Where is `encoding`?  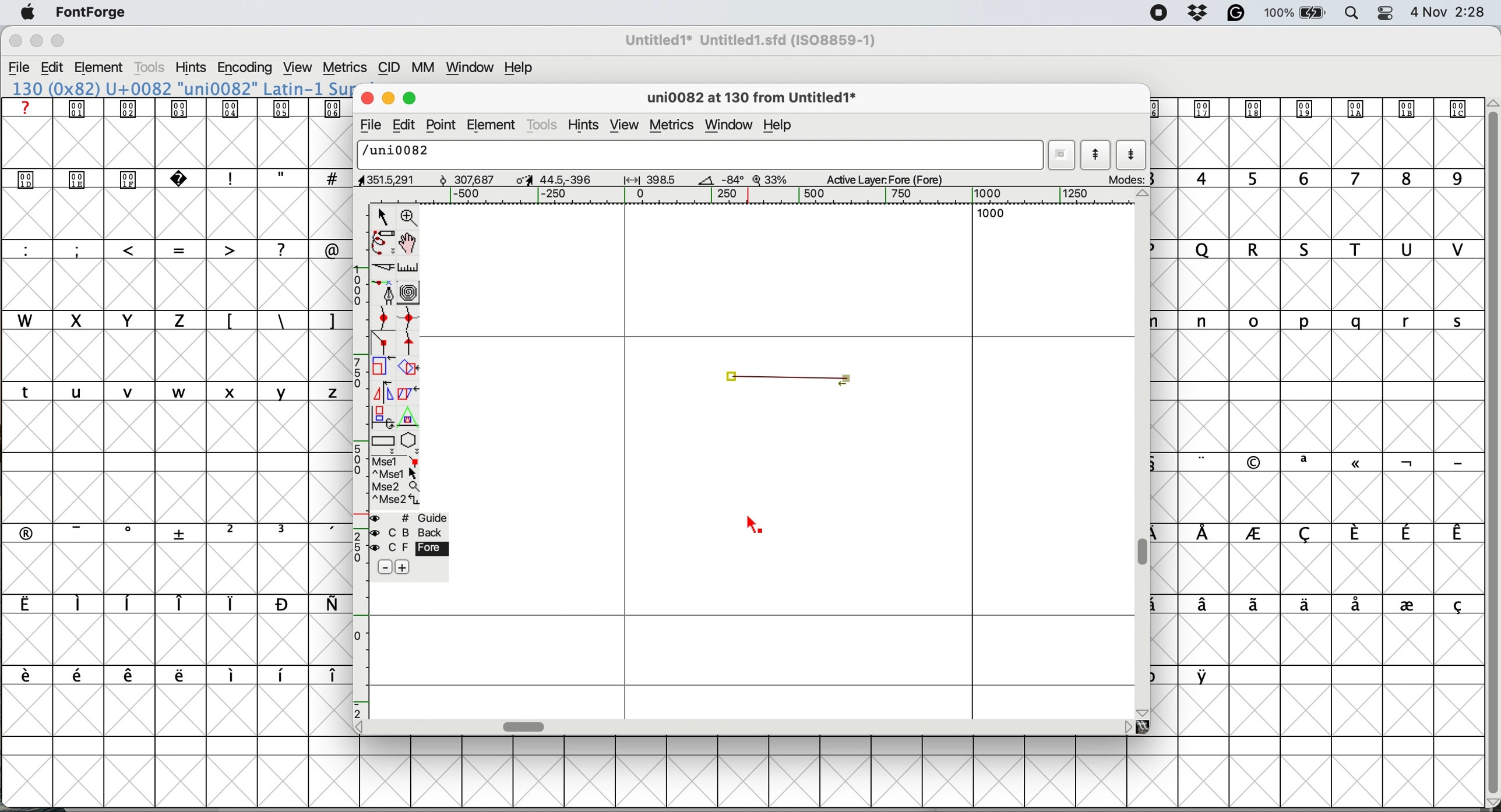 encoding is located at coordinates (246, 68).